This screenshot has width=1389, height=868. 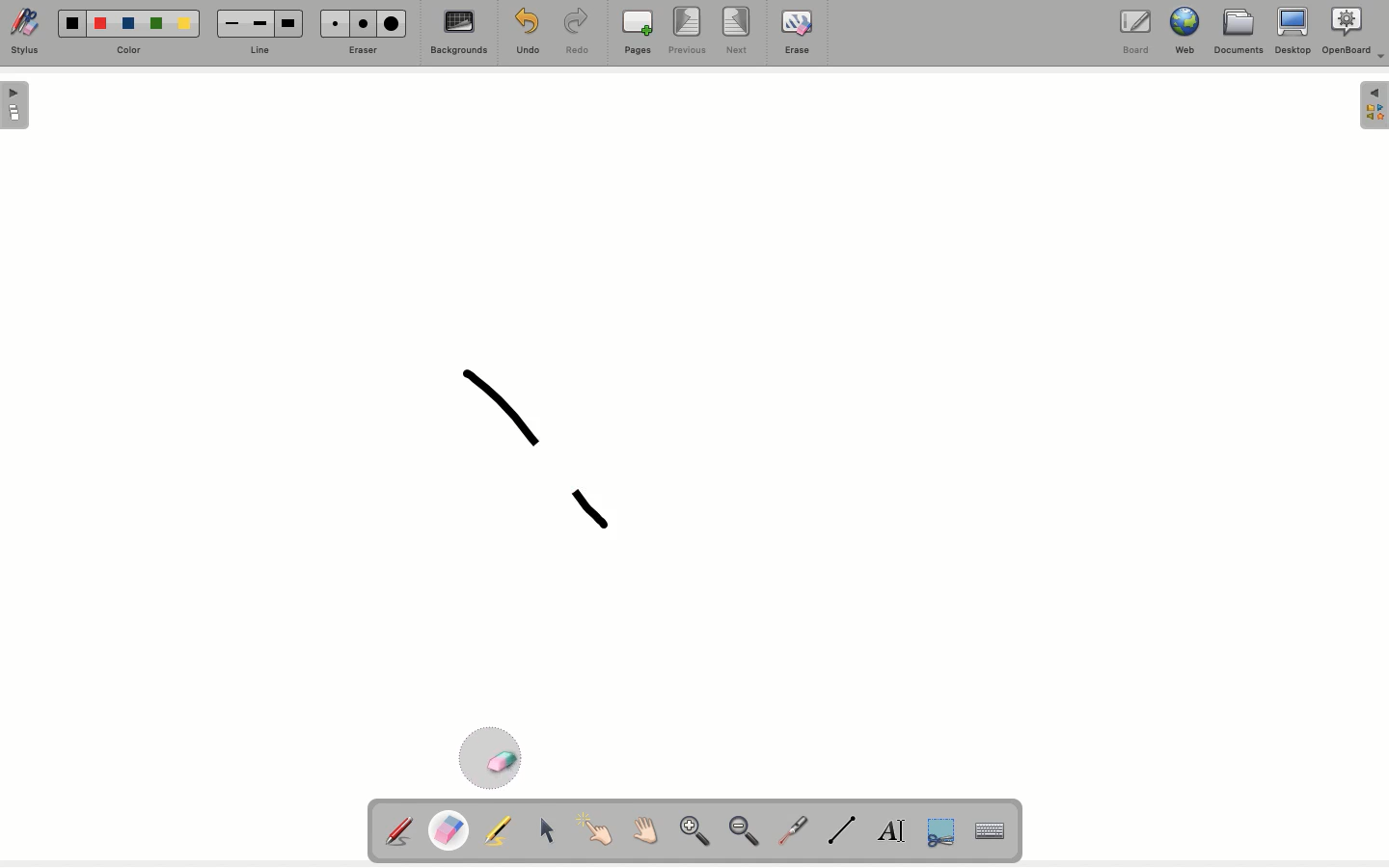 I want to click on Black, so click(x=73, y=22).